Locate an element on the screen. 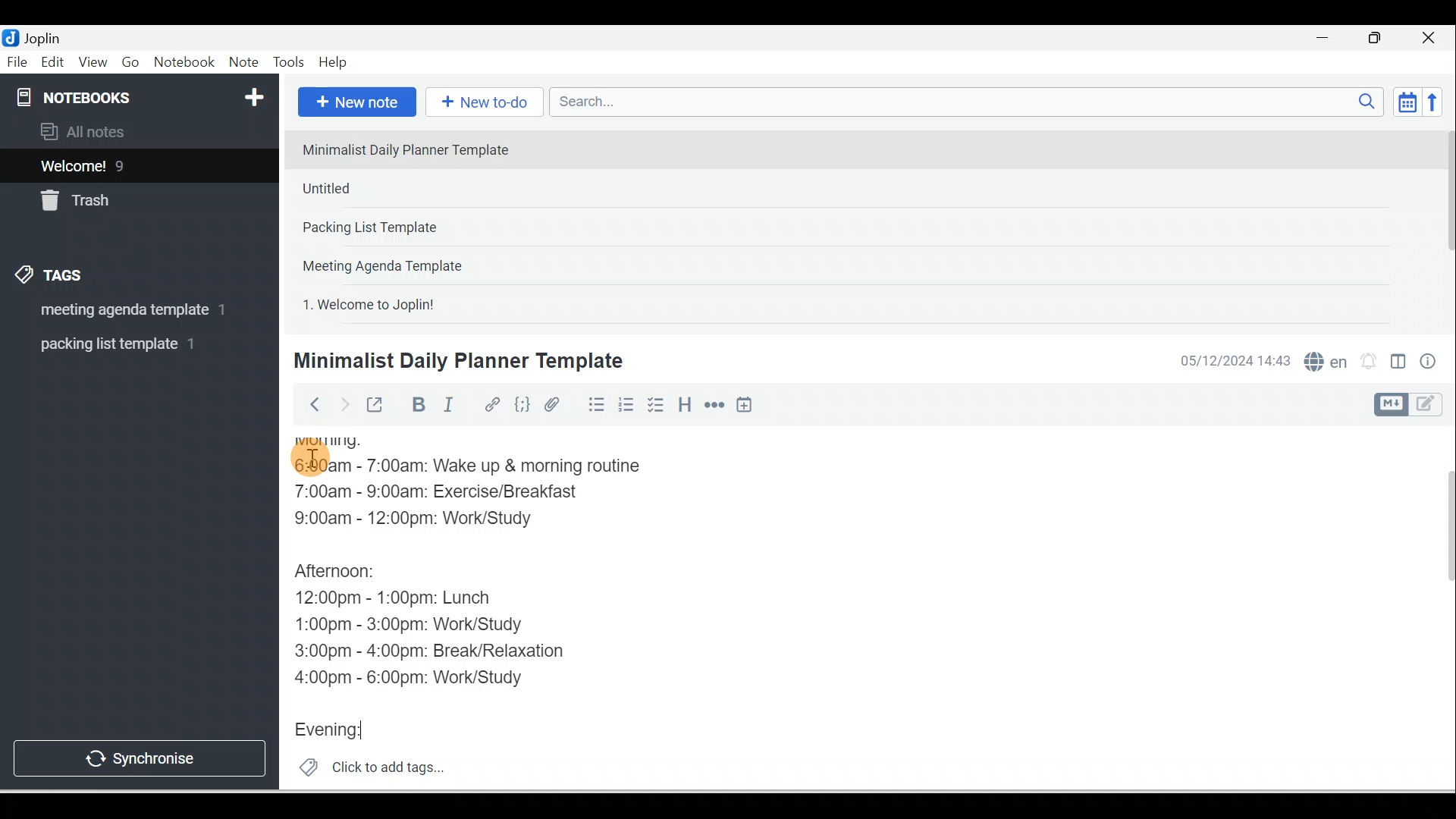 The height and width of the screenshot is (819, 1456). 7:00am - 9:00am: Exercise/Breakfast is located at coordinates (453, 494).